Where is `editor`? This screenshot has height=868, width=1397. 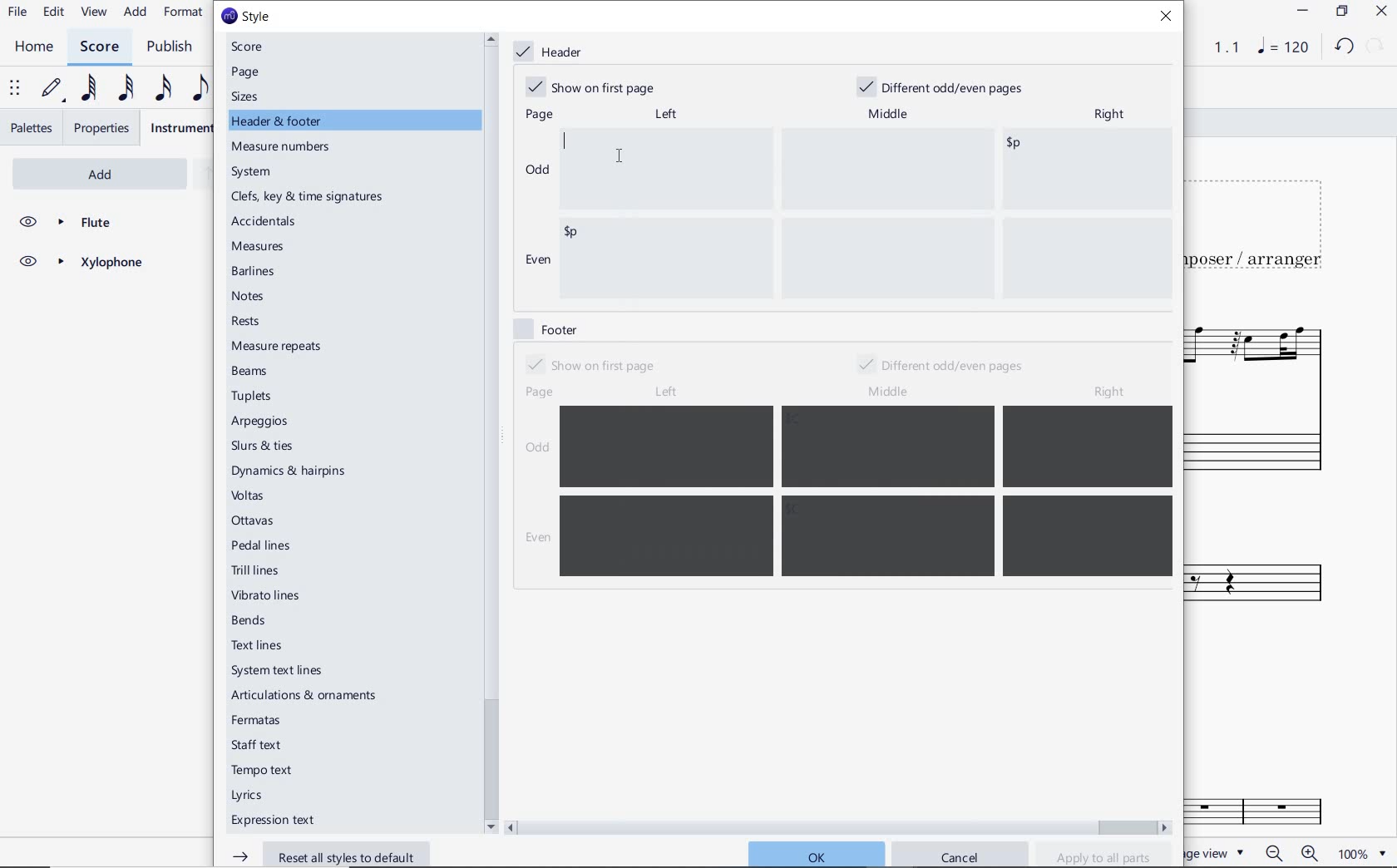
editor is located at coordinates (570, 143).